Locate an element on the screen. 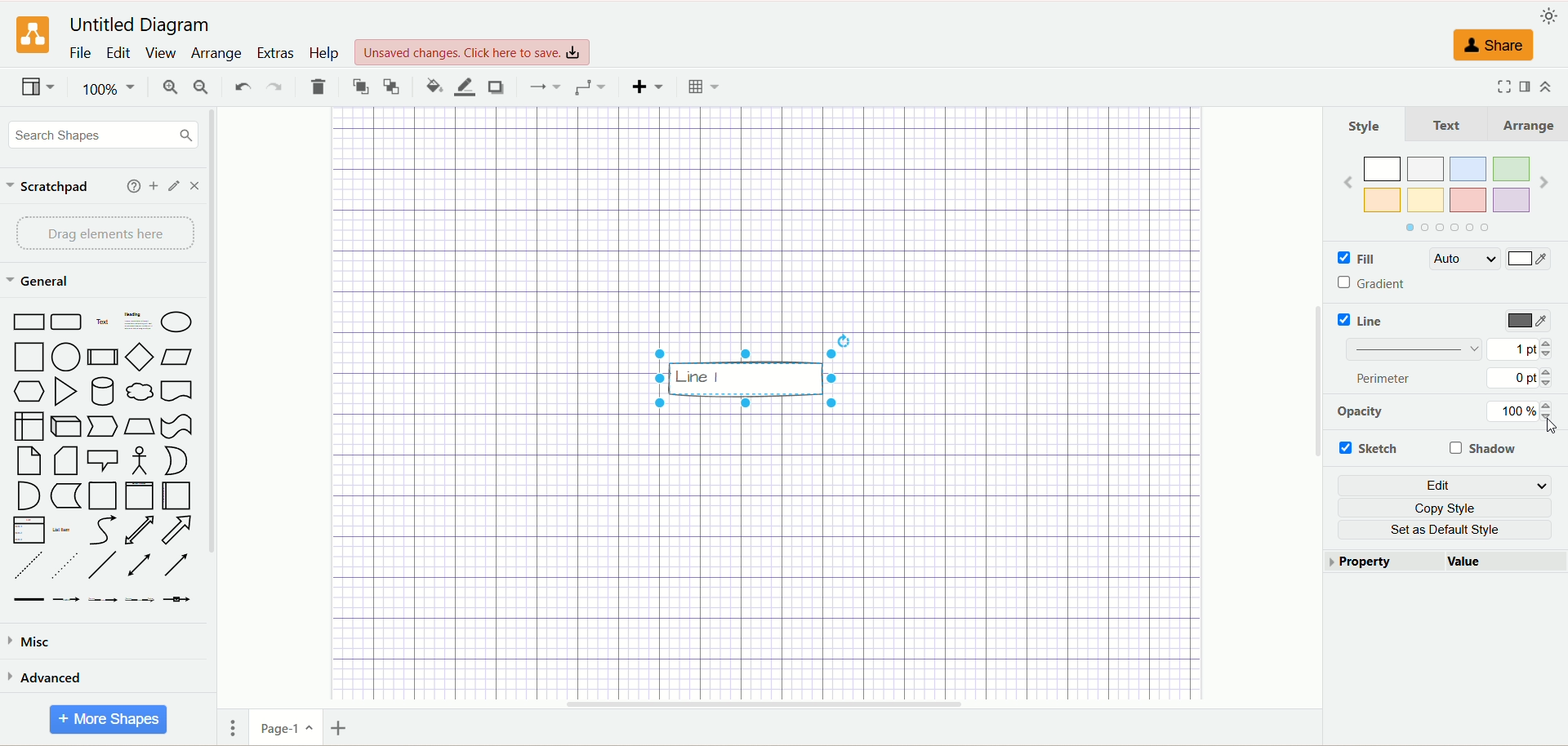 The image size is (1568, 746). Cloud is located at coordinates (140, 389).